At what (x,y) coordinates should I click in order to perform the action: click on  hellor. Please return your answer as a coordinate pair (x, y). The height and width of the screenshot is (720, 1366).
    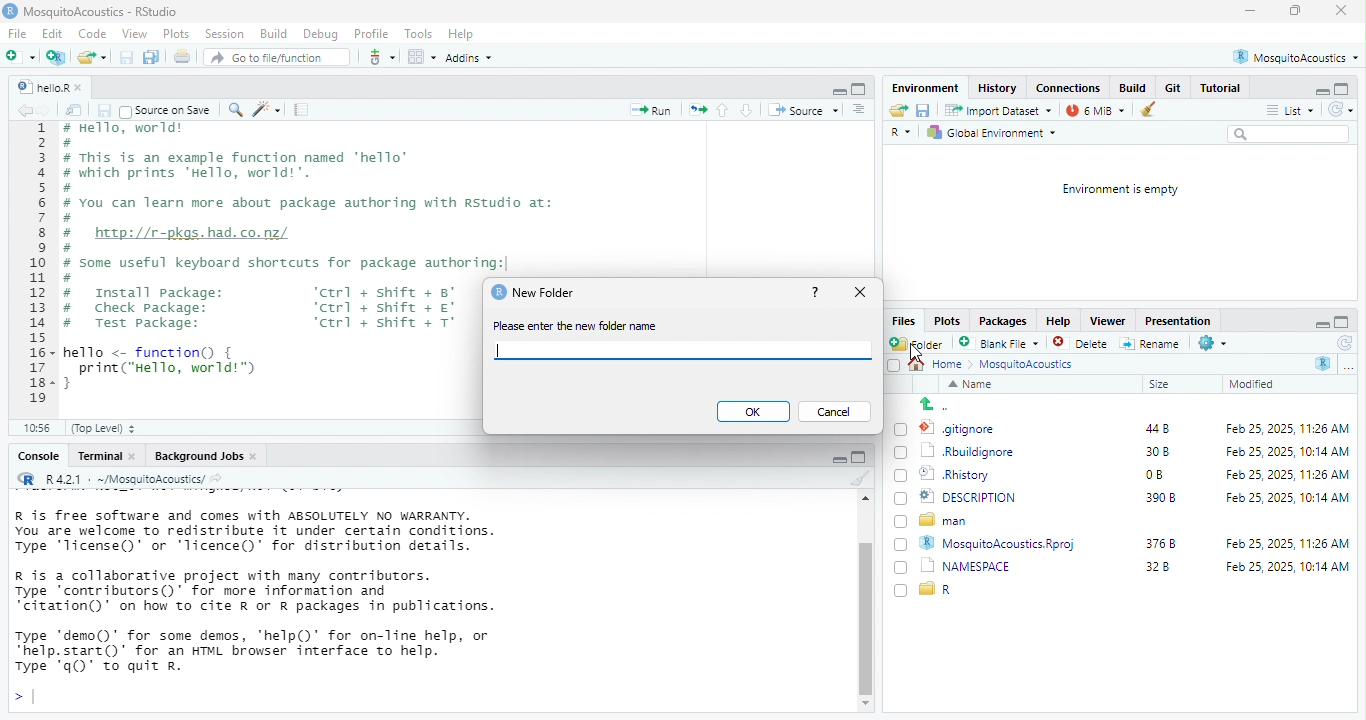
    Looking at the image, I should click on (41, 88).